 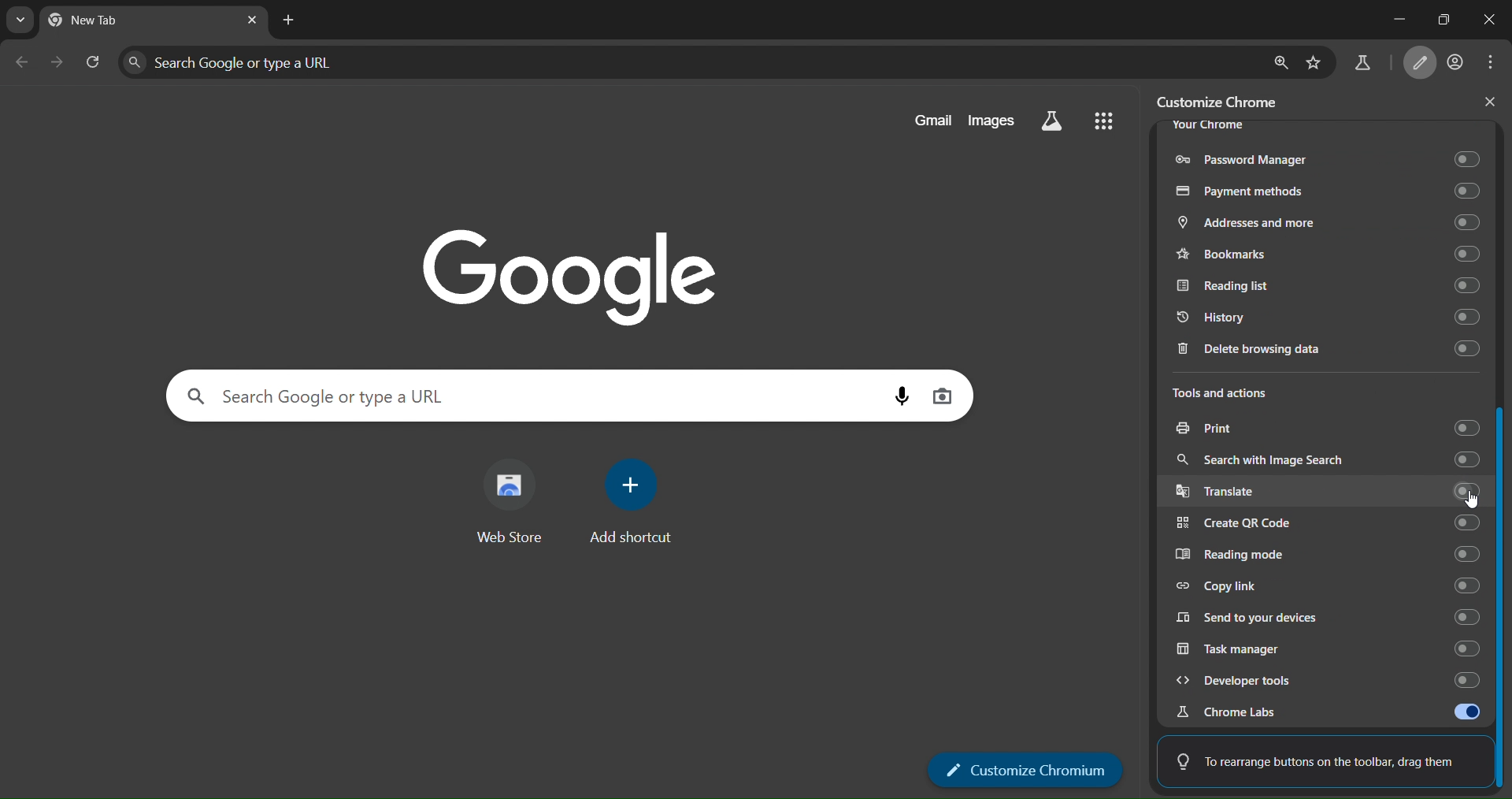 I want to click on tools and actions, so click(x=1232, y=394).